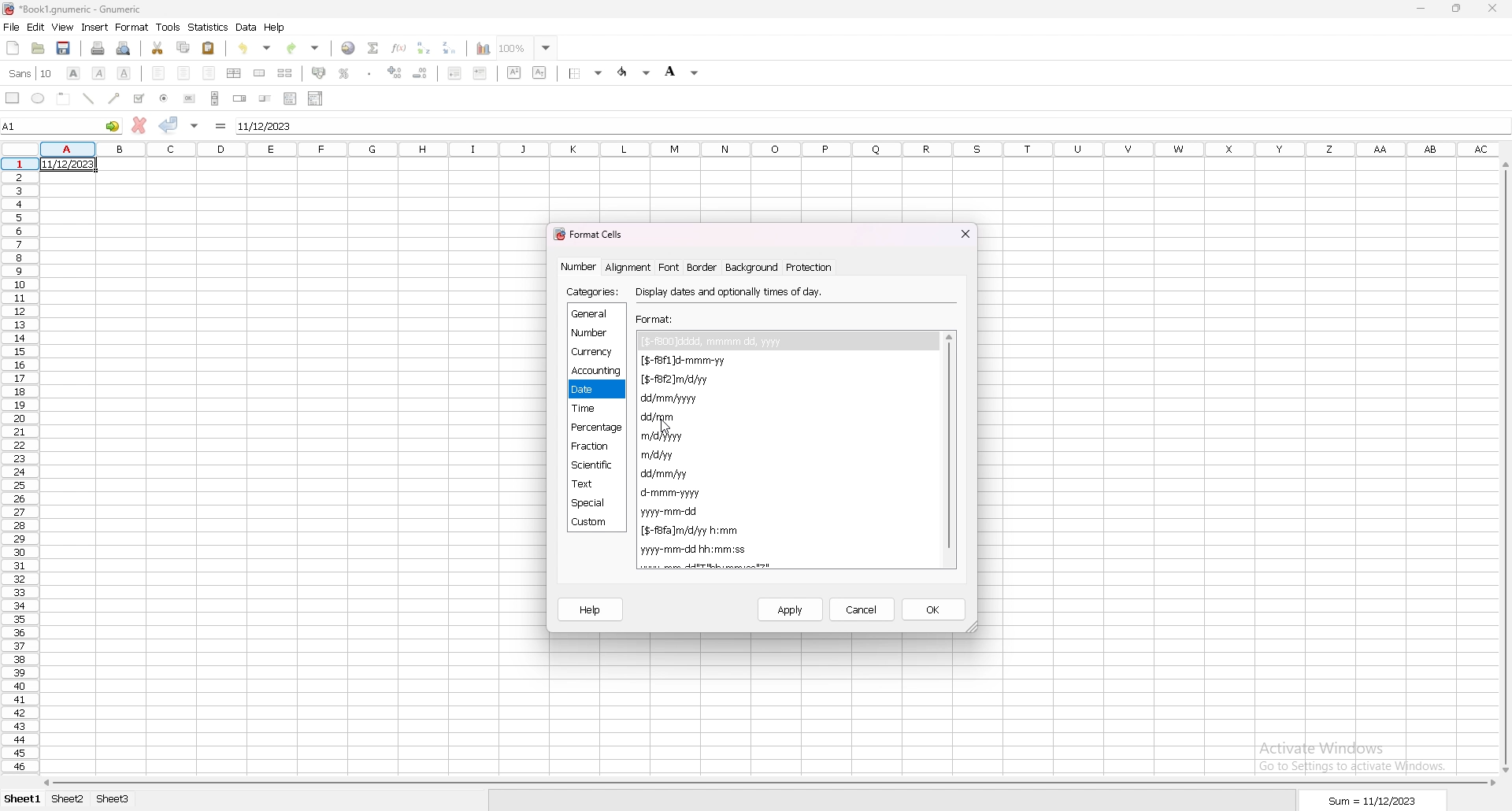 The width and height of the screenshot is (1512, 811). What do you see at coordinates (591, 331) in the screenshot?
I see `number` at bounding box center [591, 331].